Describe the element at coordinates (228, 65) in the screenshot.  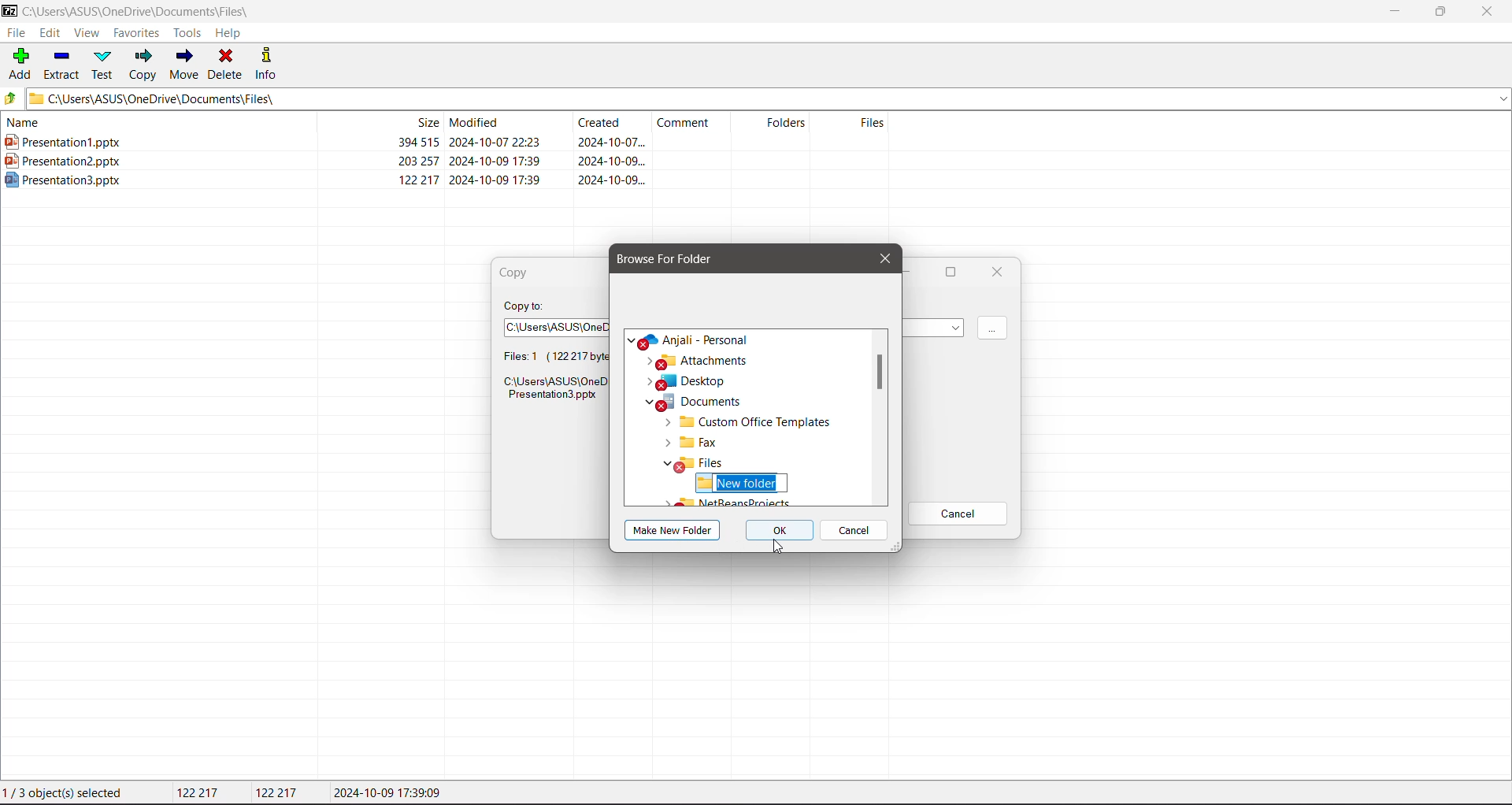
I see `Delete` at that location.